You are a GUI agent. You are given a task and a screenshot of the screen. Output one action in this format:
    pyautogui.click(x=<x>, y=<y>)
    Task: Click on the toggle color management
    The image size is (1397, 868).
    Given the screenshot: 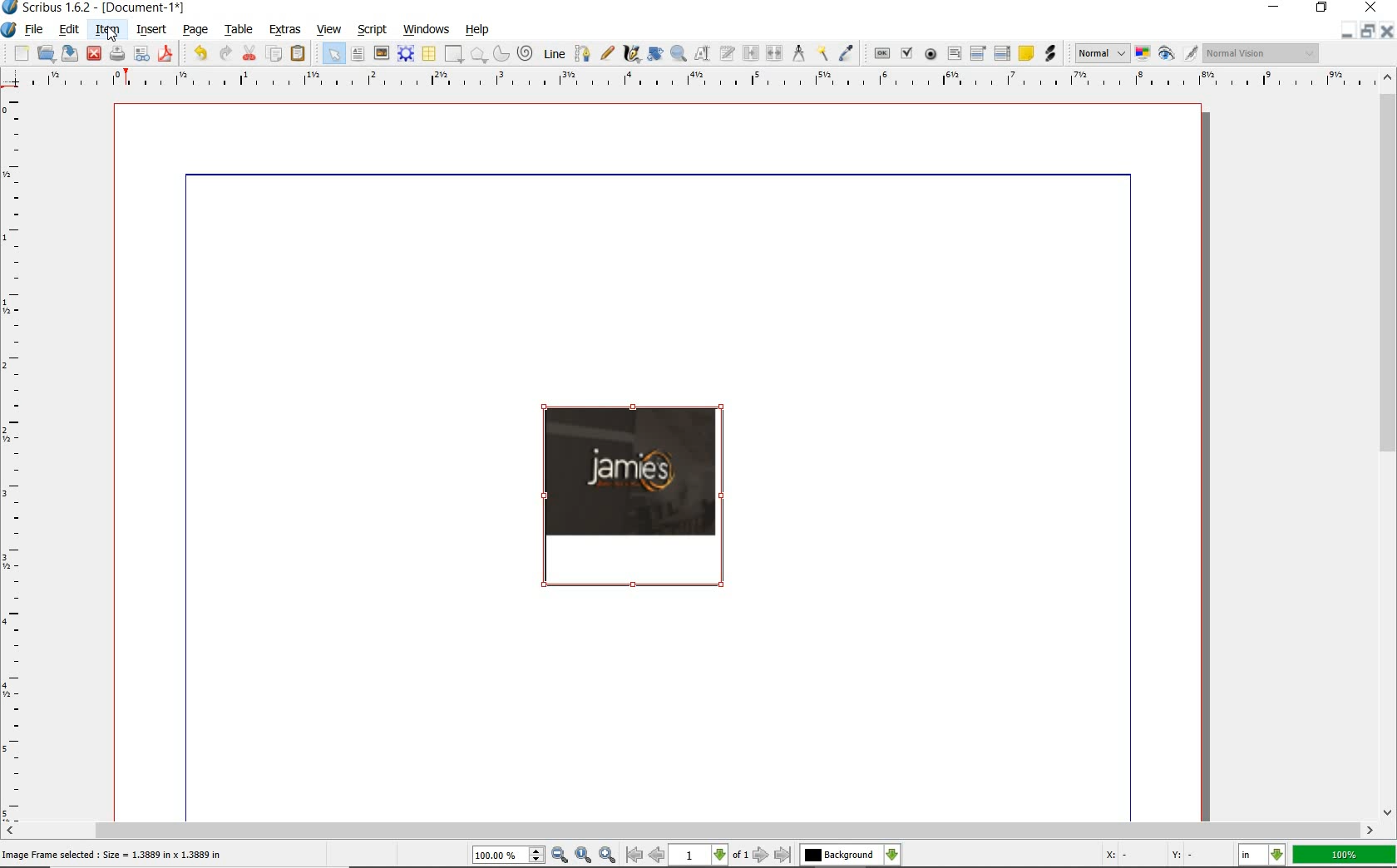 What is the action you would take?
    pyautogui.click(x=1142, y=54)
    